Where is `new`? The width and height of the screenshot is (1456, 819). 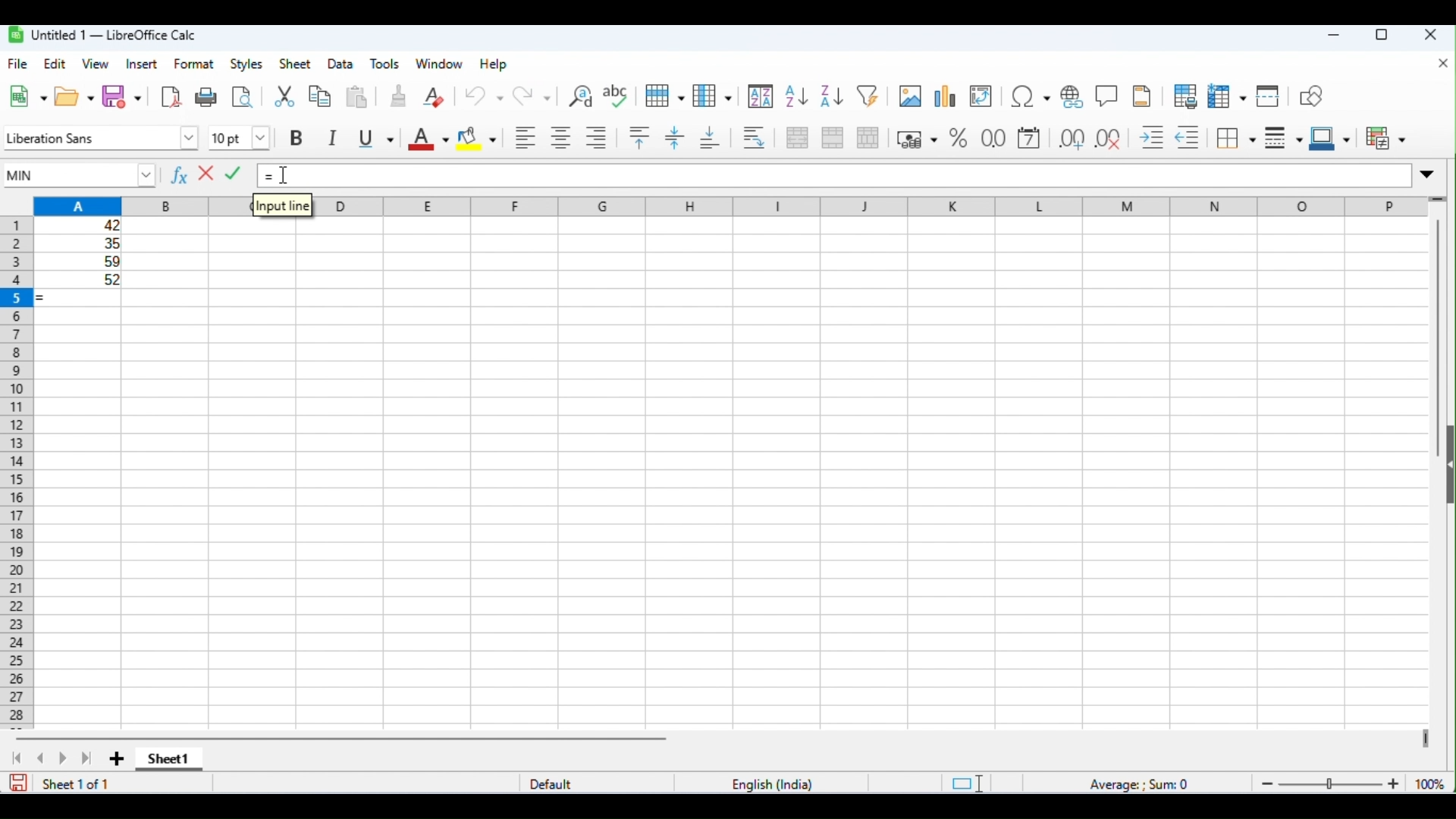
new is located at coordinates (27, 97).